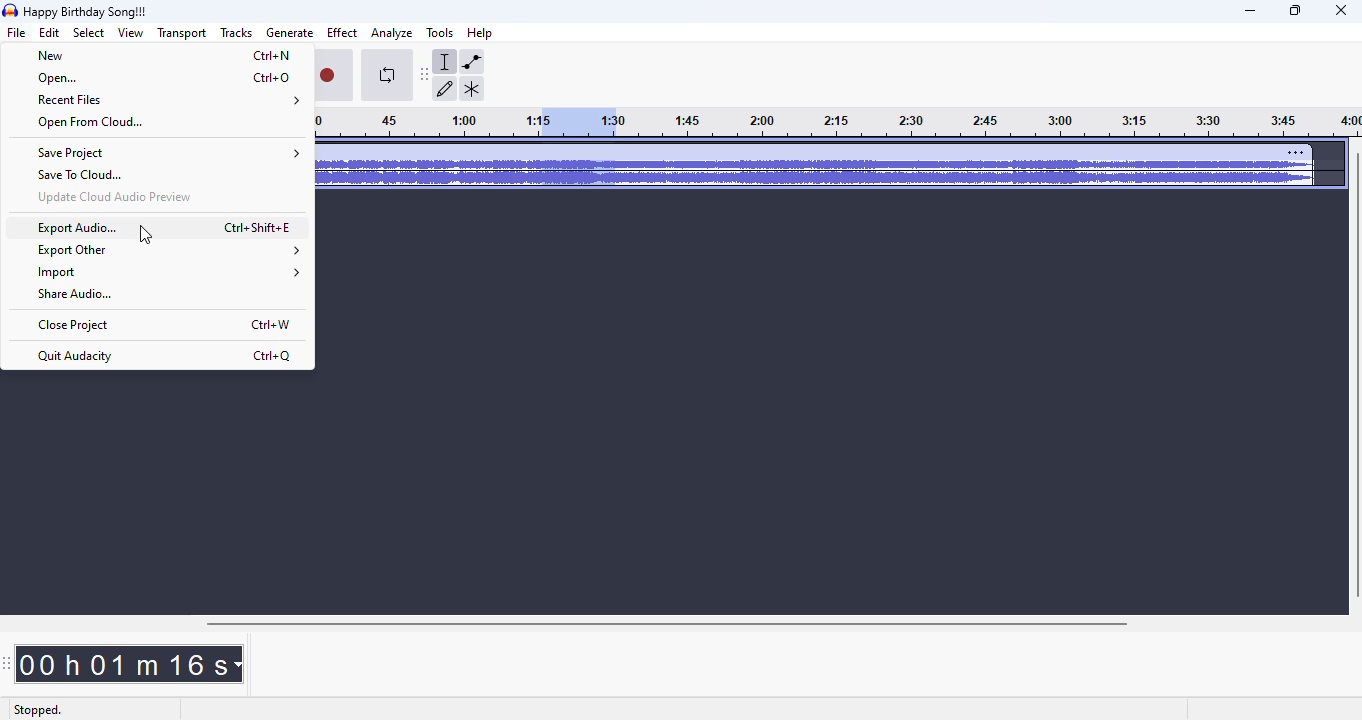  What do you see at coordinates (392, 34) in the screenshot?
I see `analyze` at bounding box center [392, 34].